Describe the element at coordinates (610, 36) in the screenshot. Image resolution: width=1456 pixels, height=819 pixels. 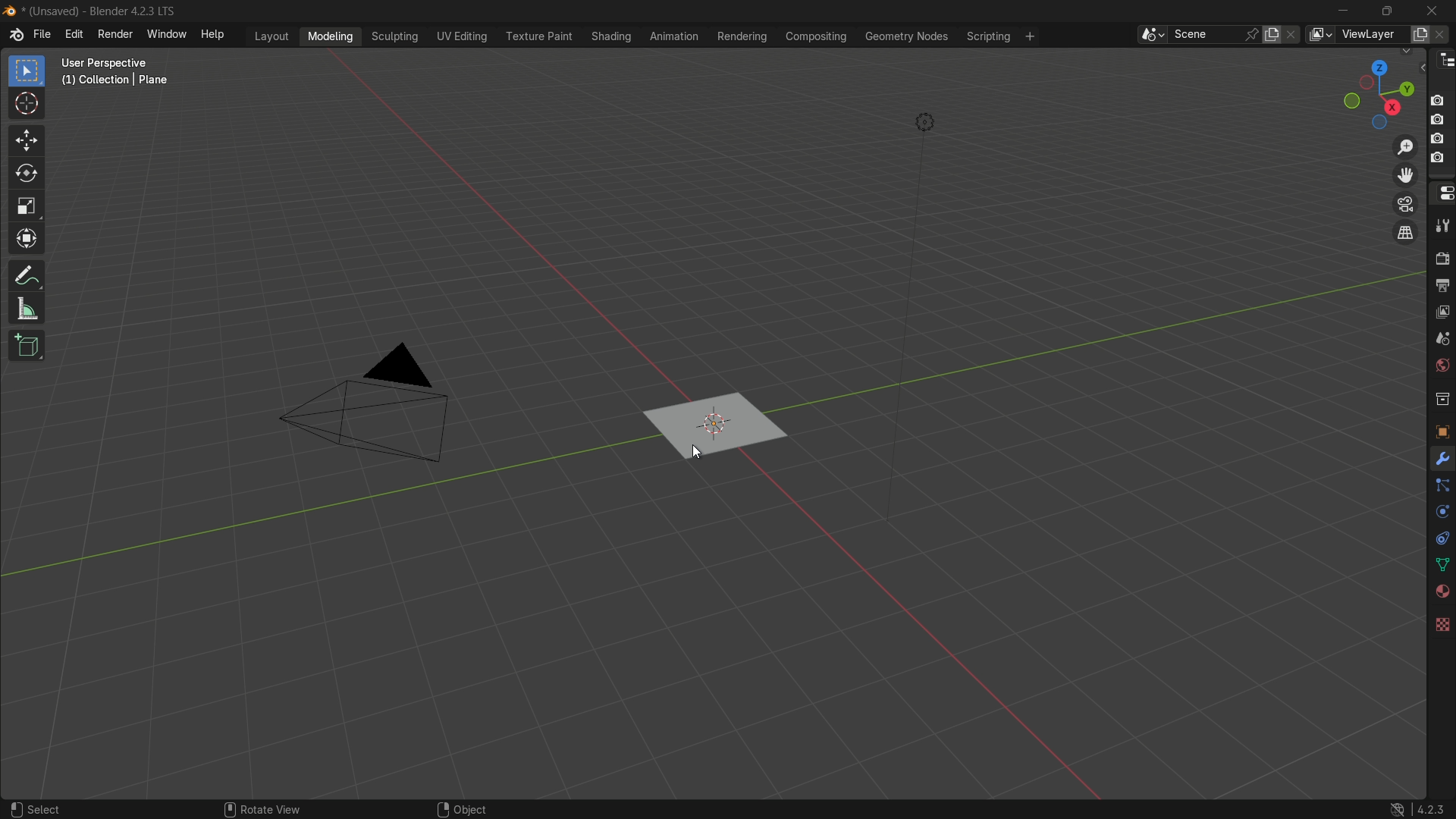
I see `shading` at that location.